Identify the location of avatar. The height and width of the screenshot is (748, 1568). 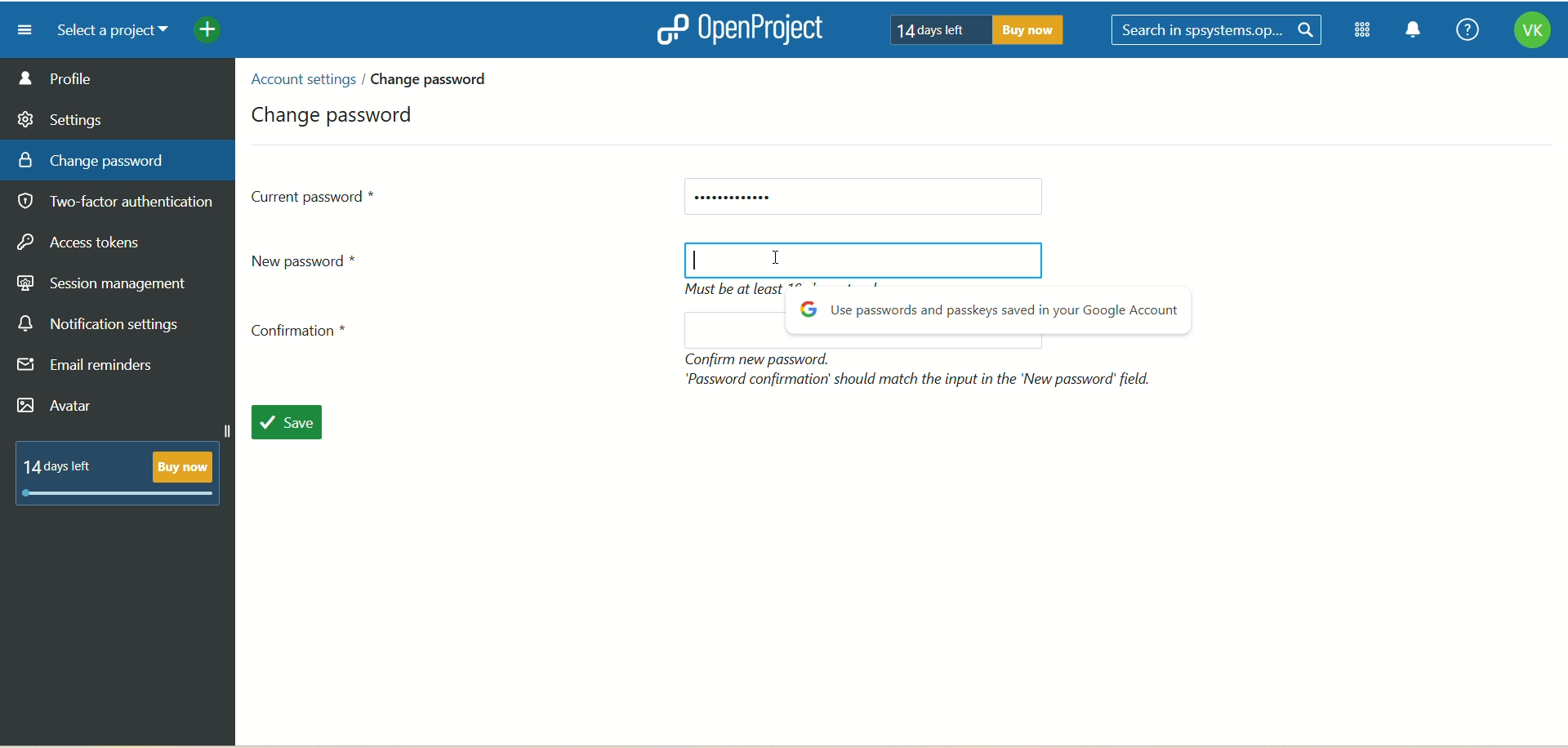
(58, 407).